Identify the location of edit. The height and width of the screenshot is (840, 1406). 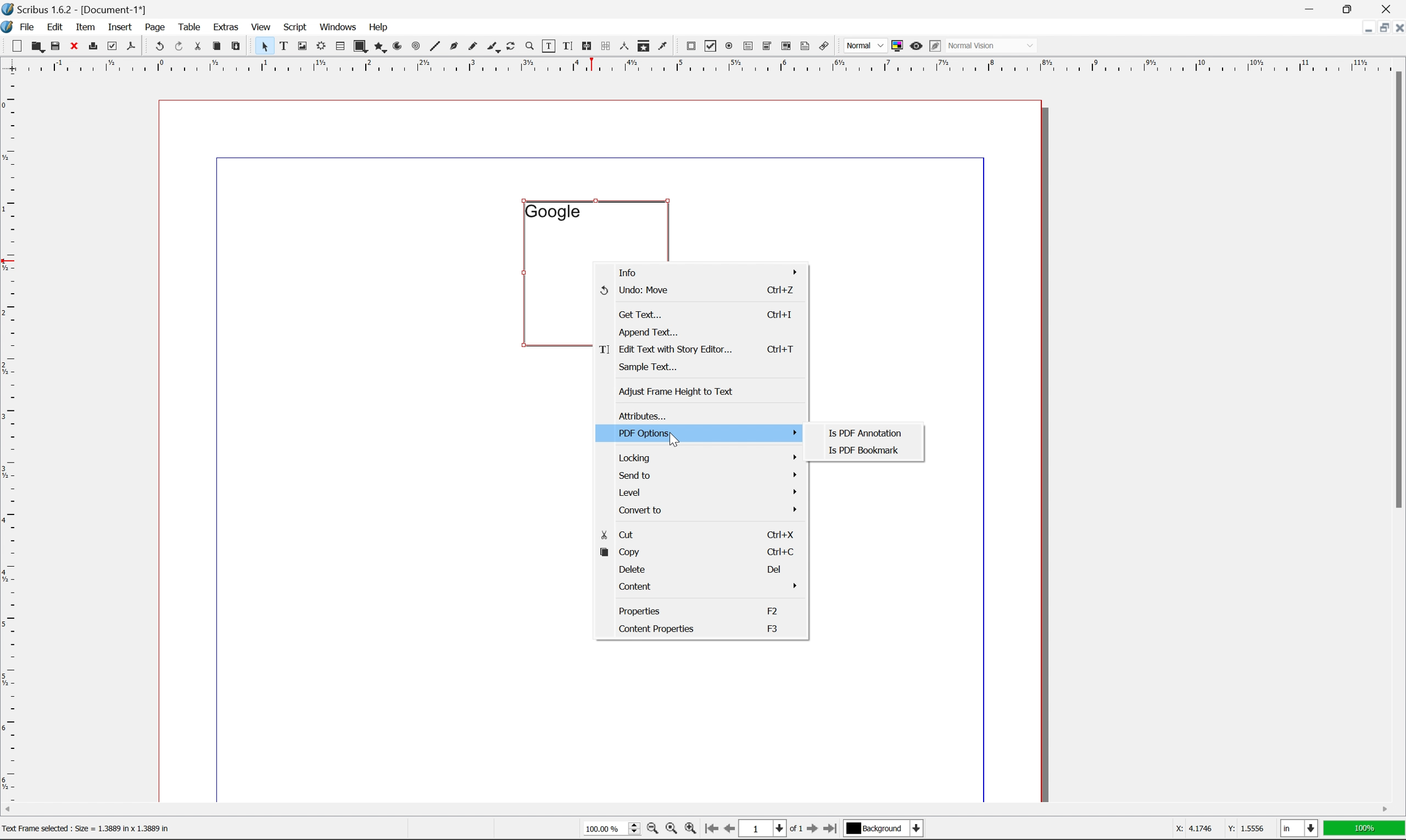
(57, 27).